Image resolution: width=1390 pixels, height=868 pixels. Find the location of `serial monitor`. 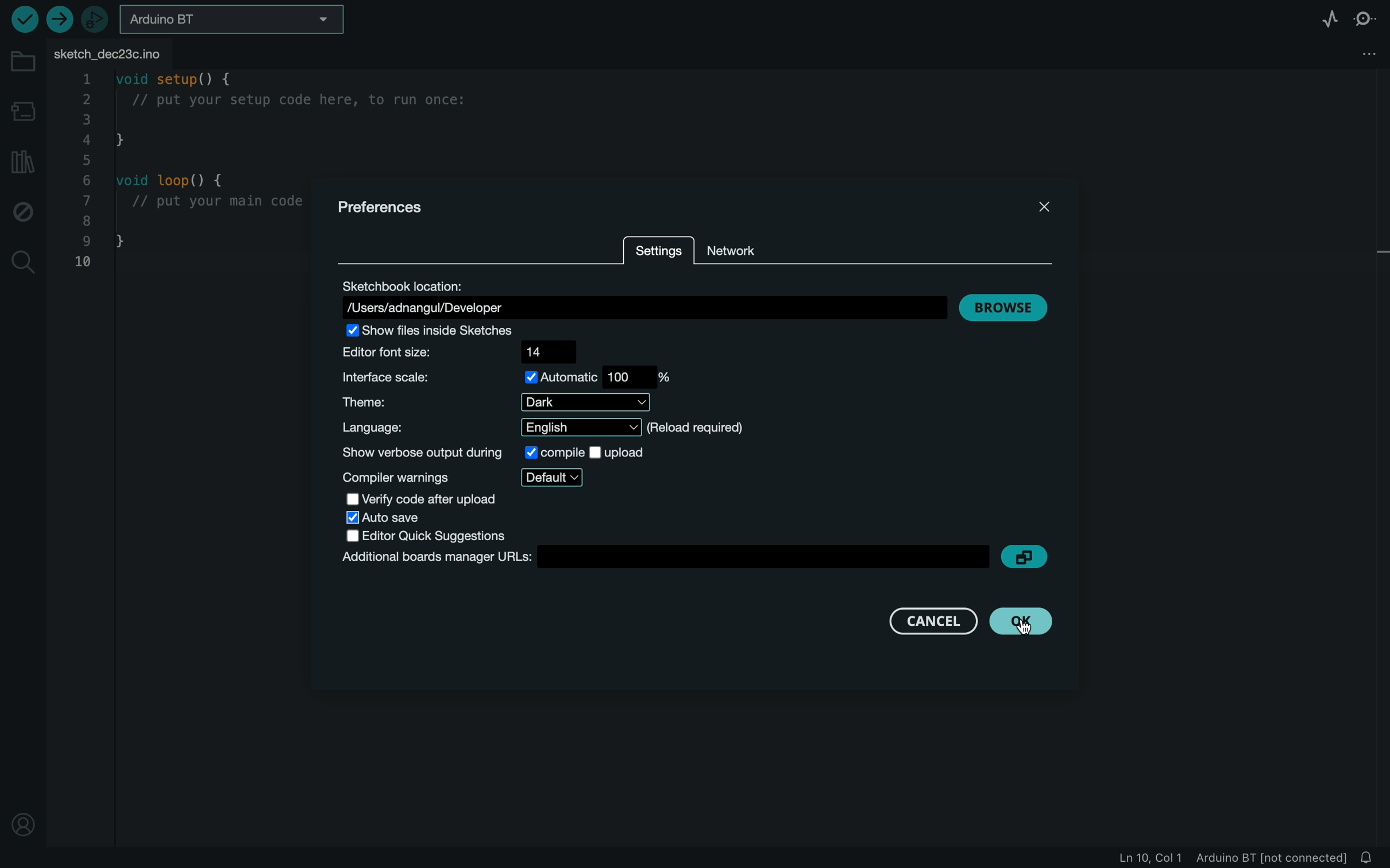

serial monitor is located at coordinates (1365, 19).